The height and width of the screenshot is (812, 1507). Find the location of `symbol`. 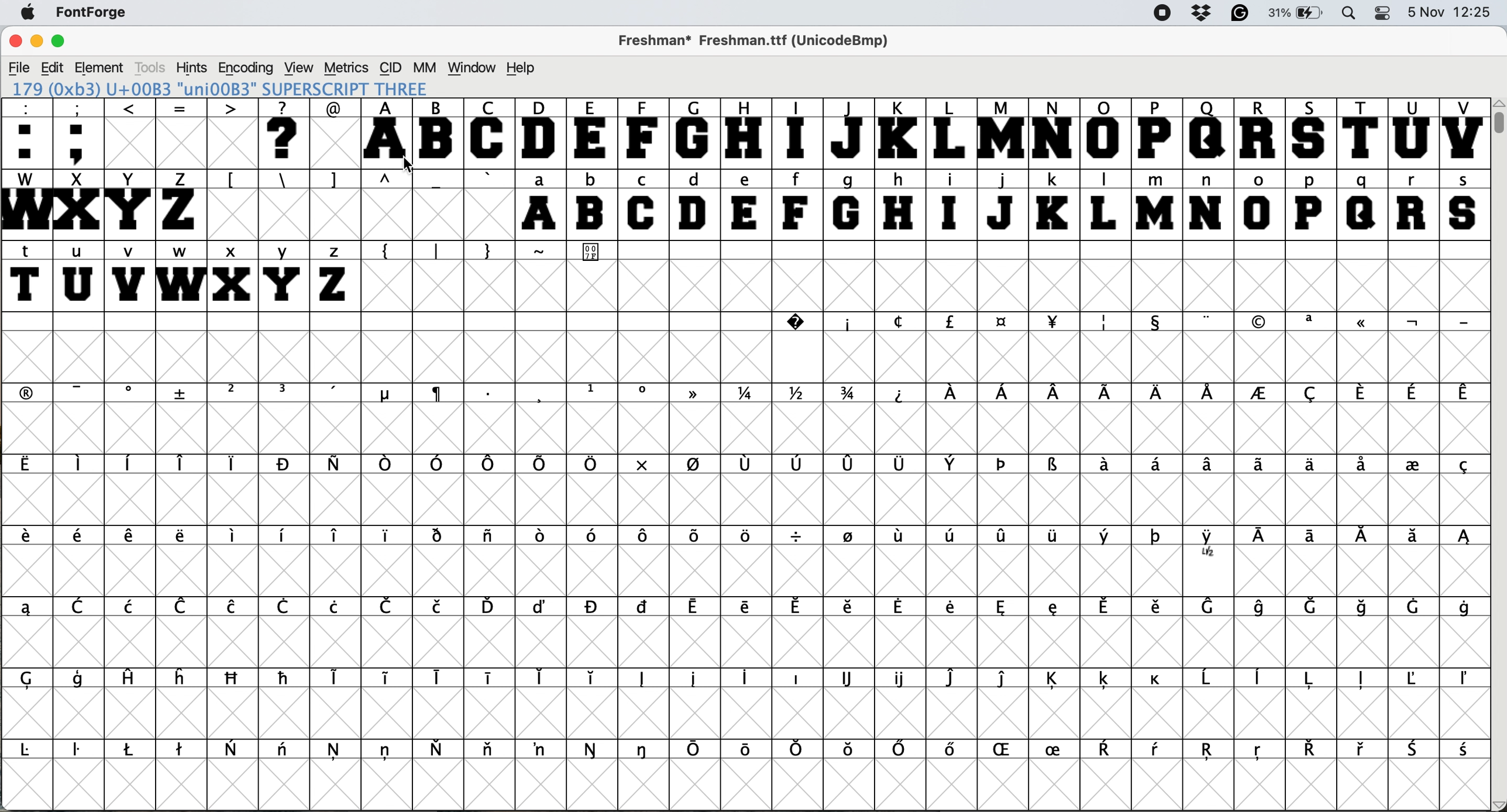

symbol is located at coordinates (1054, 320).